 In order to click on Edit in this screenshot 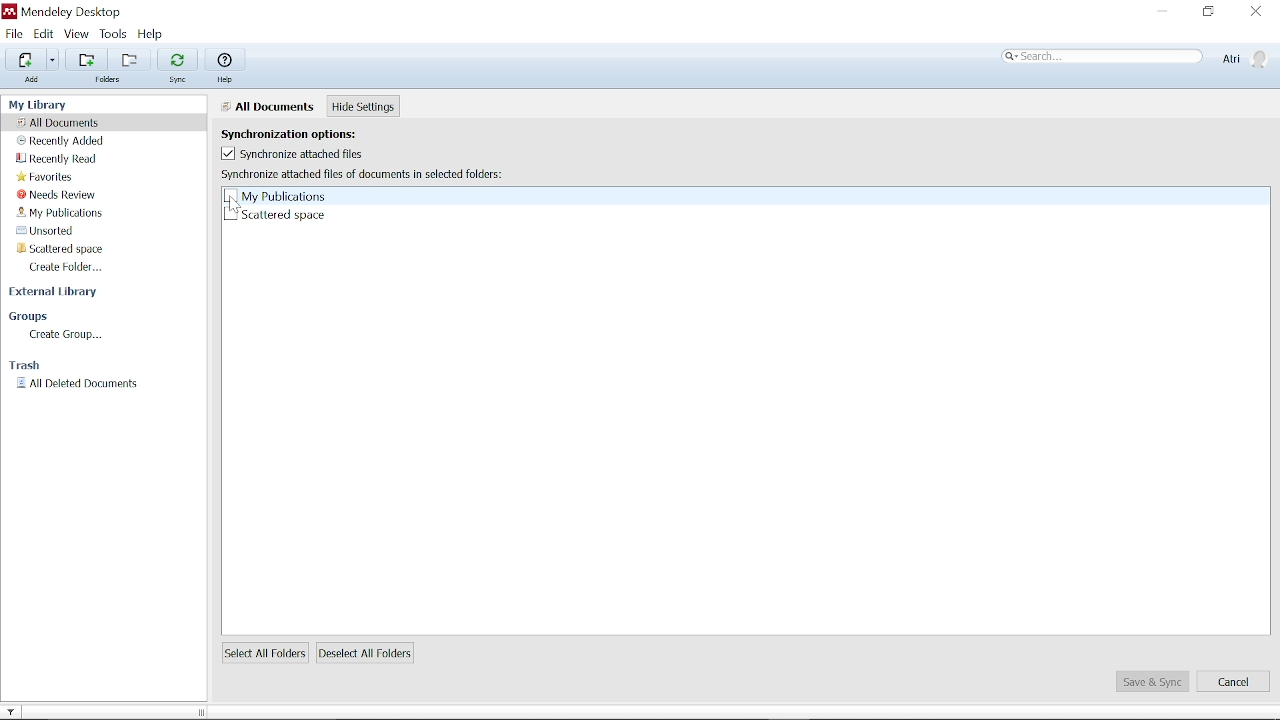, I will do `click(43, 34)`.